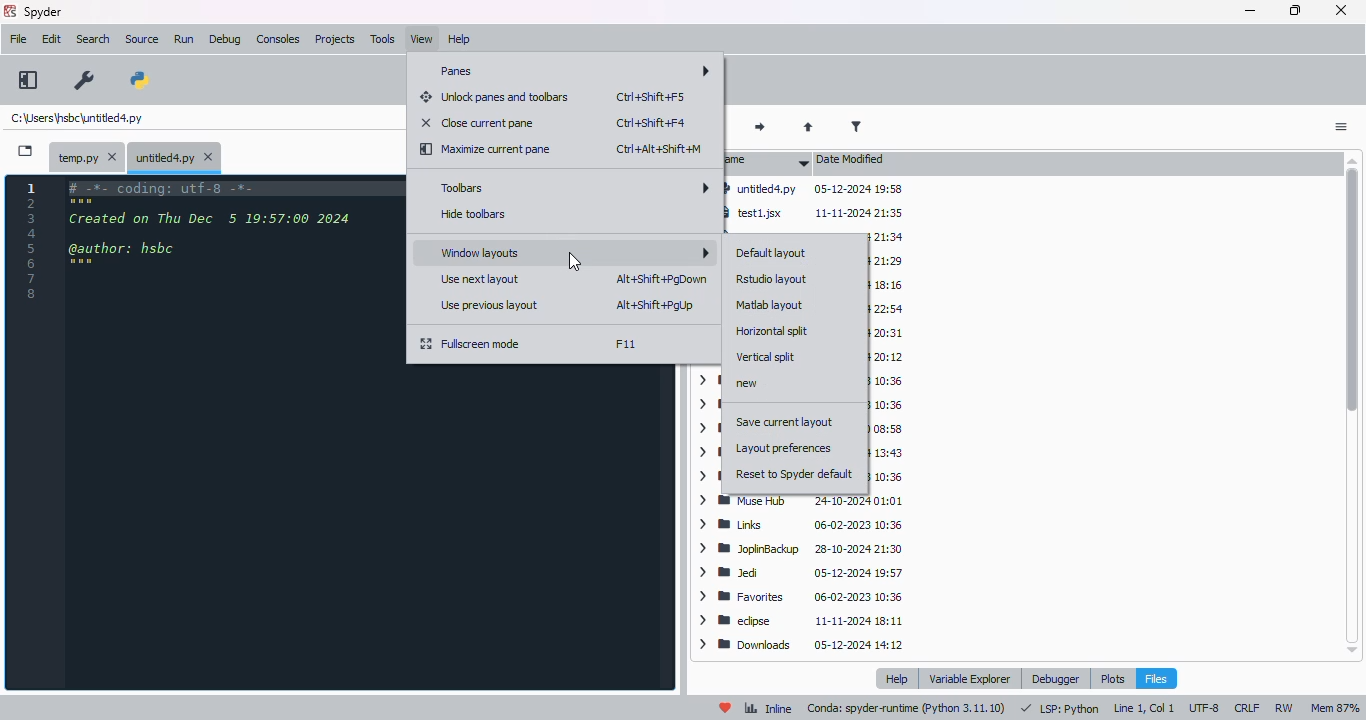  What do you see at coordinates (495, 97) in the screenshot?
I see `unlock panels and toolbars` at bounding box center [495, 97].